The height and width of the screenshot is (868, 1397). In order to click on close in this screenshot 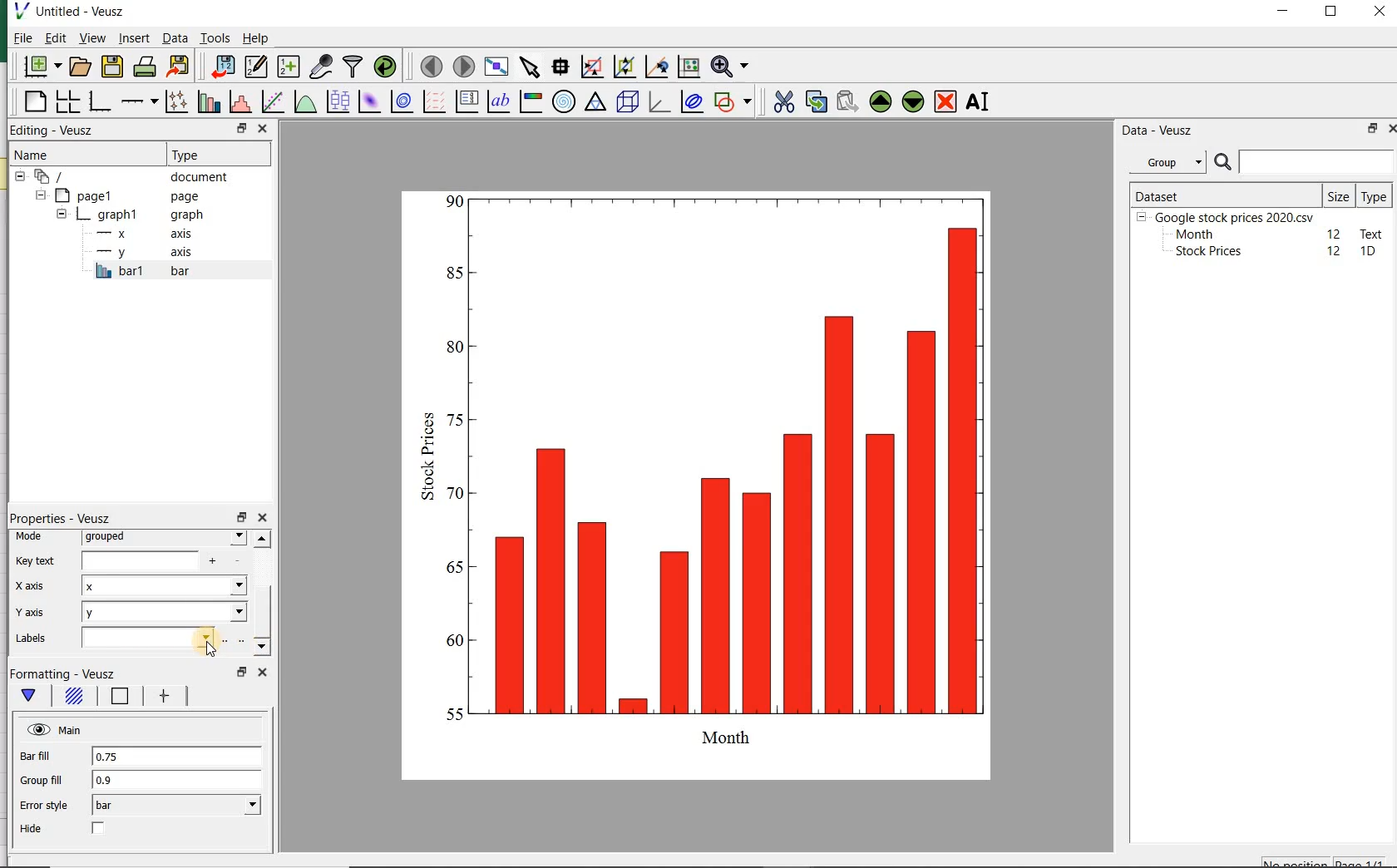, I will do `click(262, 128)`.